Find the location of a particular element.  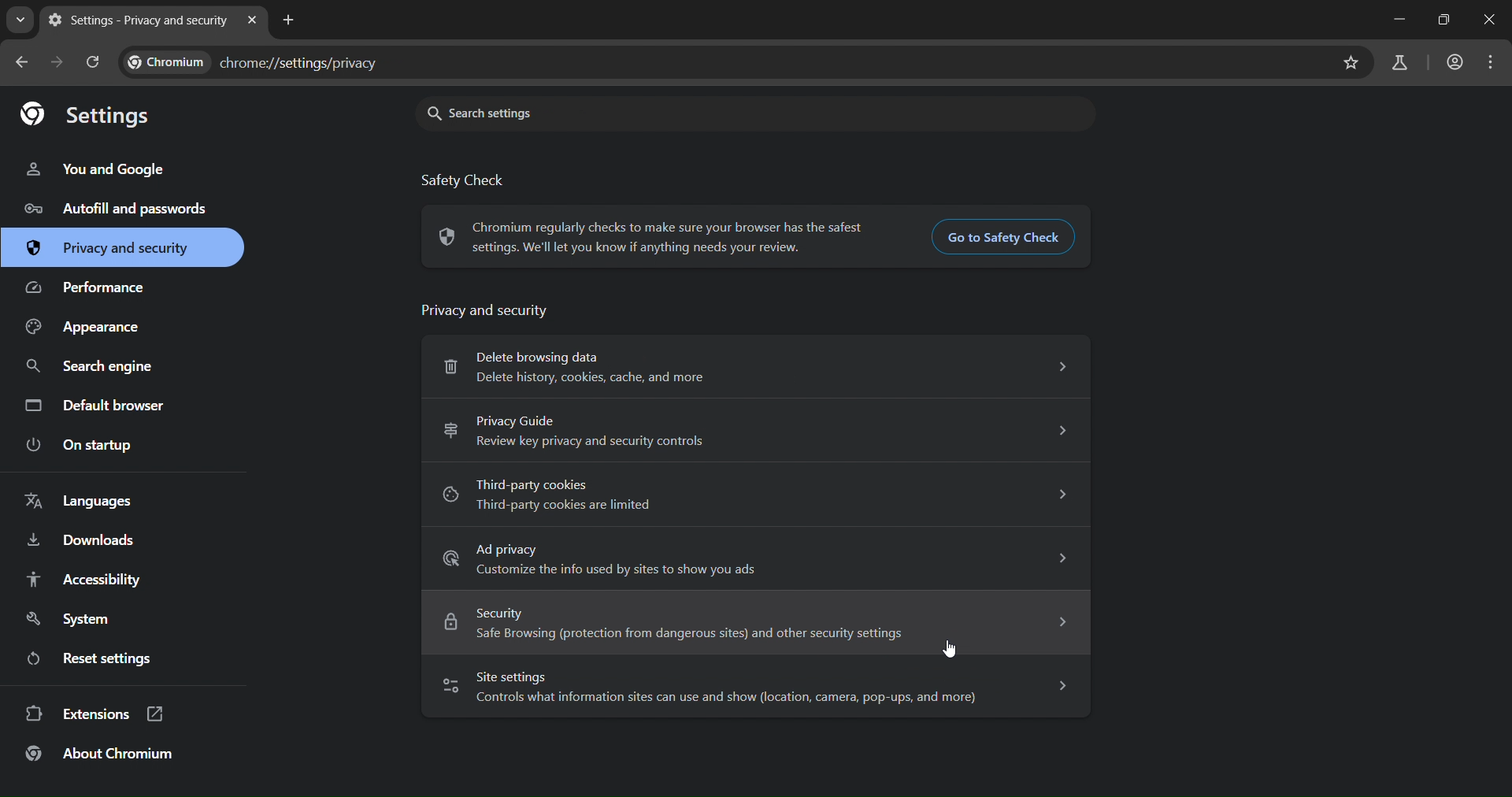

chromium regularly checks to make sure your browser has the safest settings. We'll let you know if anything needs your review is located at coordinates (650, 235).